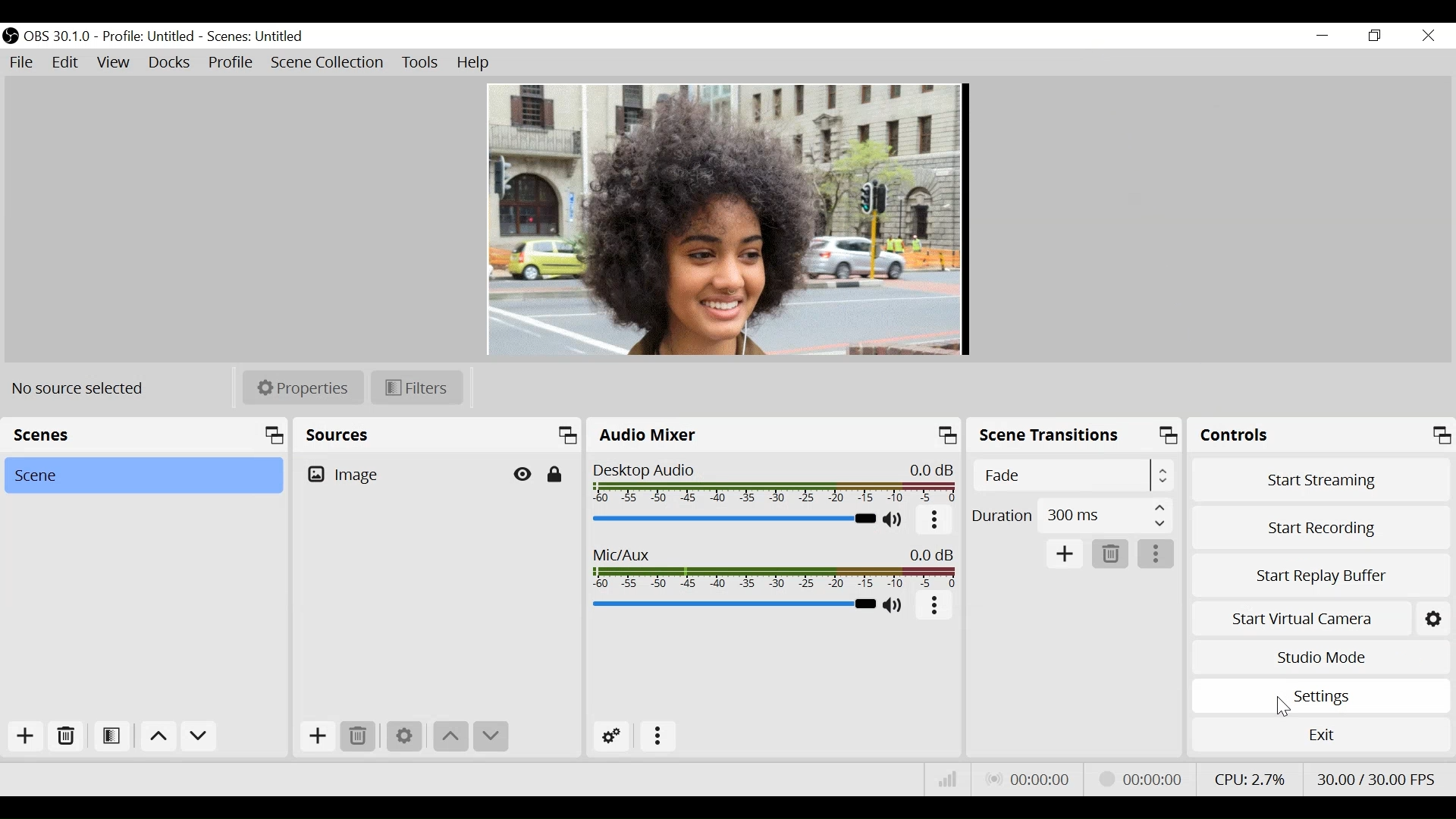  Describe the element at coordinates (733, 518) in the screenshot. I see `Desktop Audio Slider` at that location.